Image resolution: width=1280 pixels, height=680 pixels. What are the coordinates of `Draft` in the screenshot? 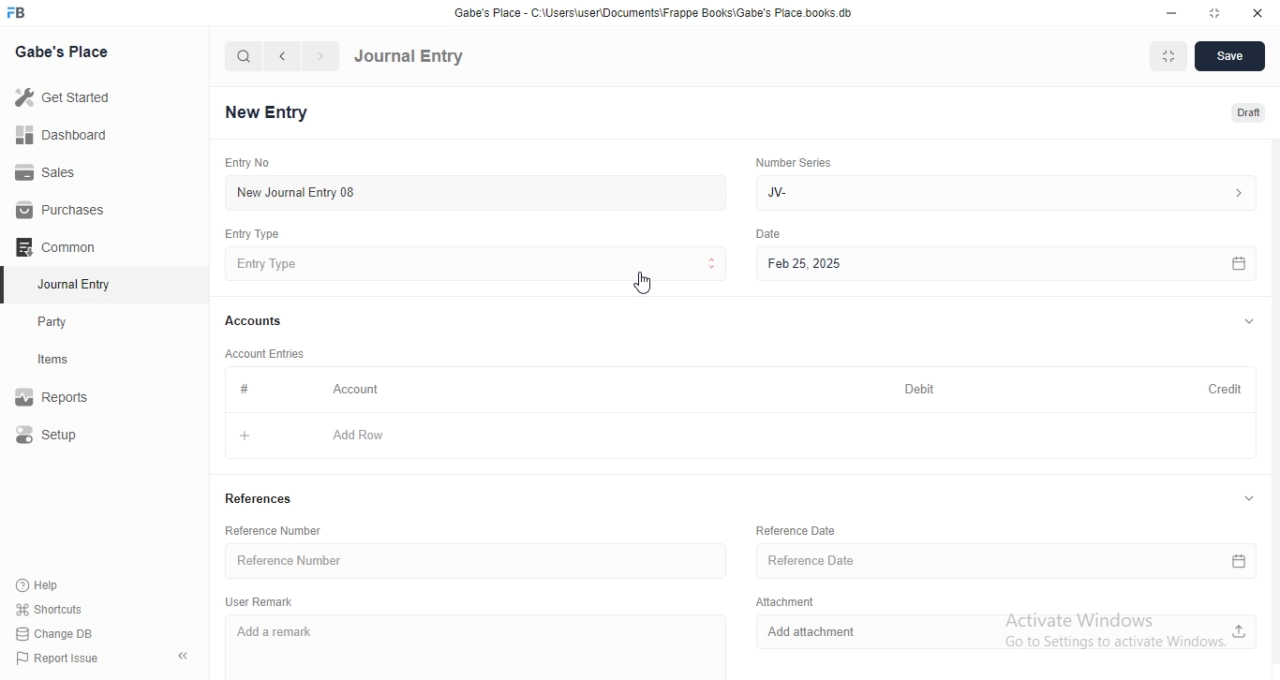 It's located at (1238, 111).